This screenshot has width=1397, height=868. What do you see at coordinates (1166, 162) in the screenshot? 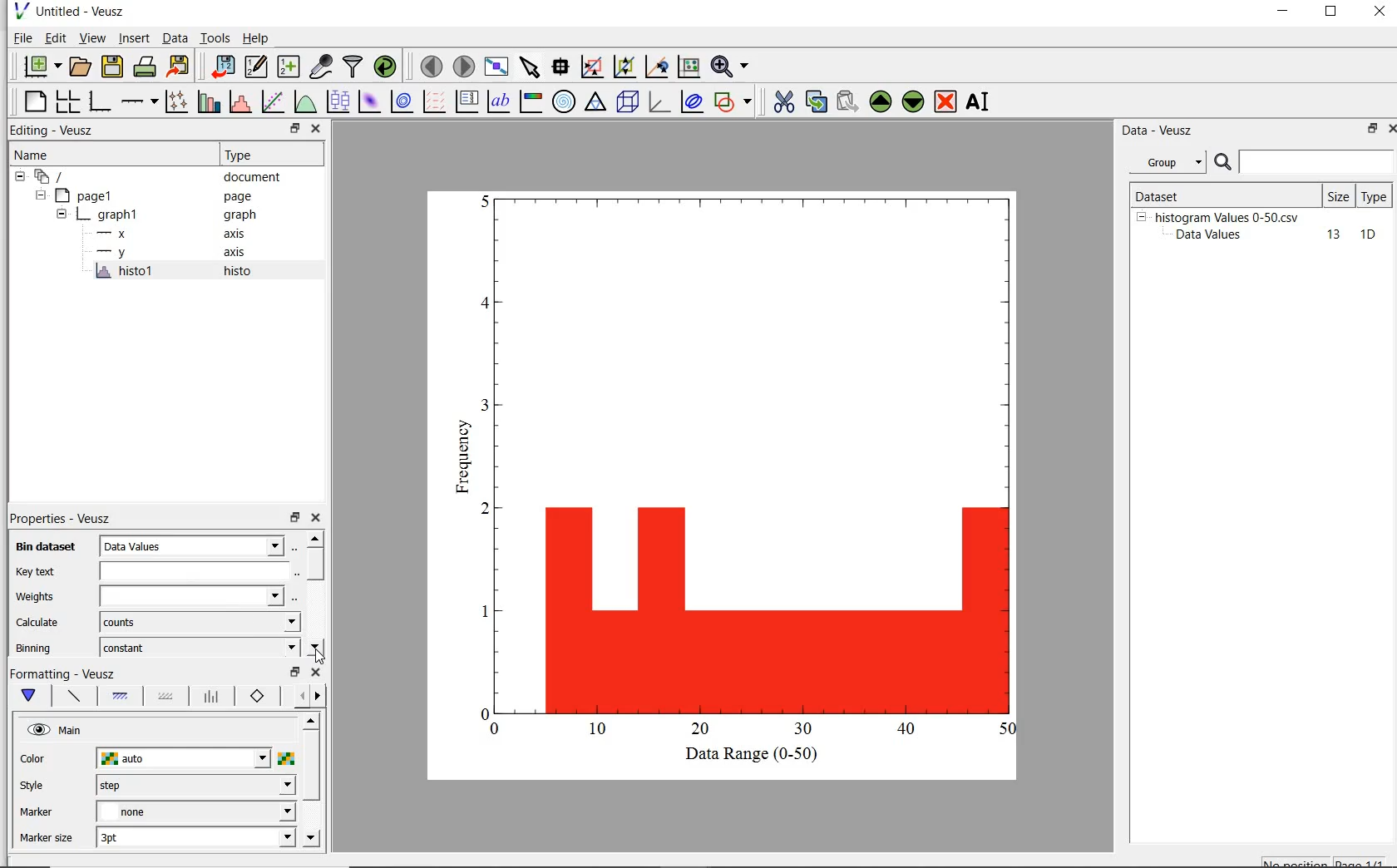
I see `group` at bounding box center [1166, 162].